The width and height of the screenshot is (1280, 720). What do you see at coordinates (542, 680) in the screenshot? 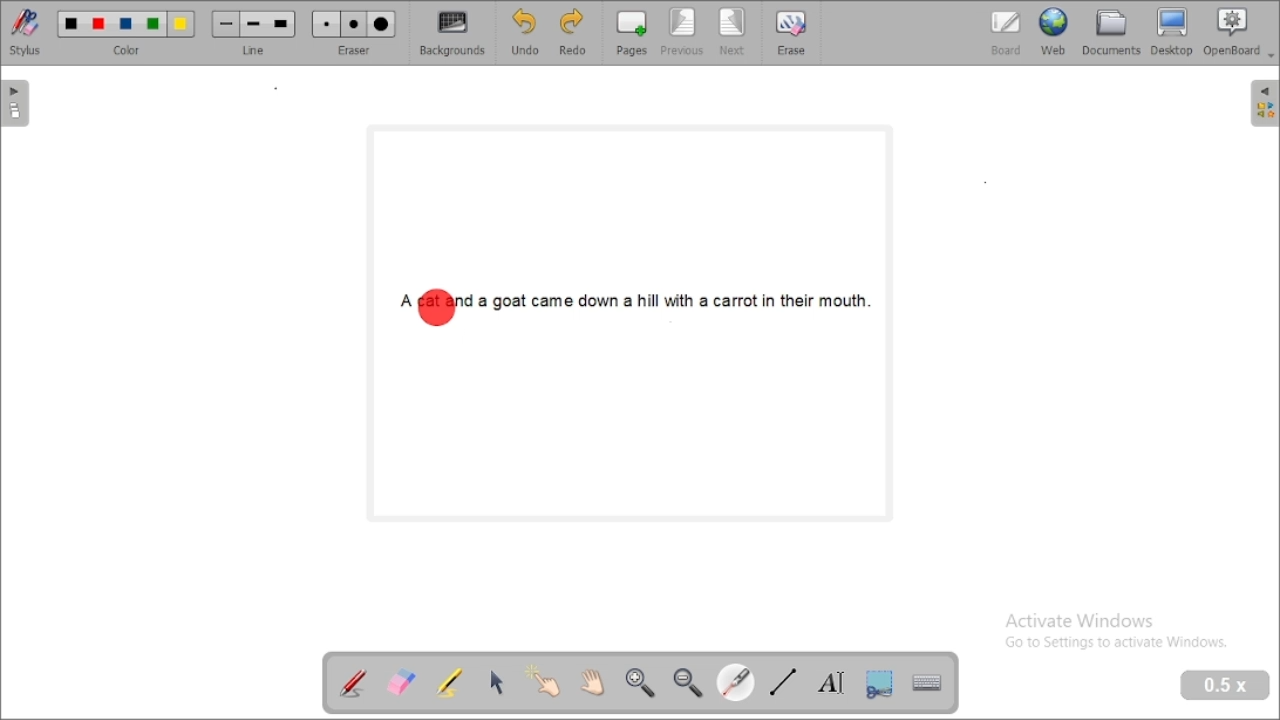
I see `interact with items` at bounding box center [542, 680].